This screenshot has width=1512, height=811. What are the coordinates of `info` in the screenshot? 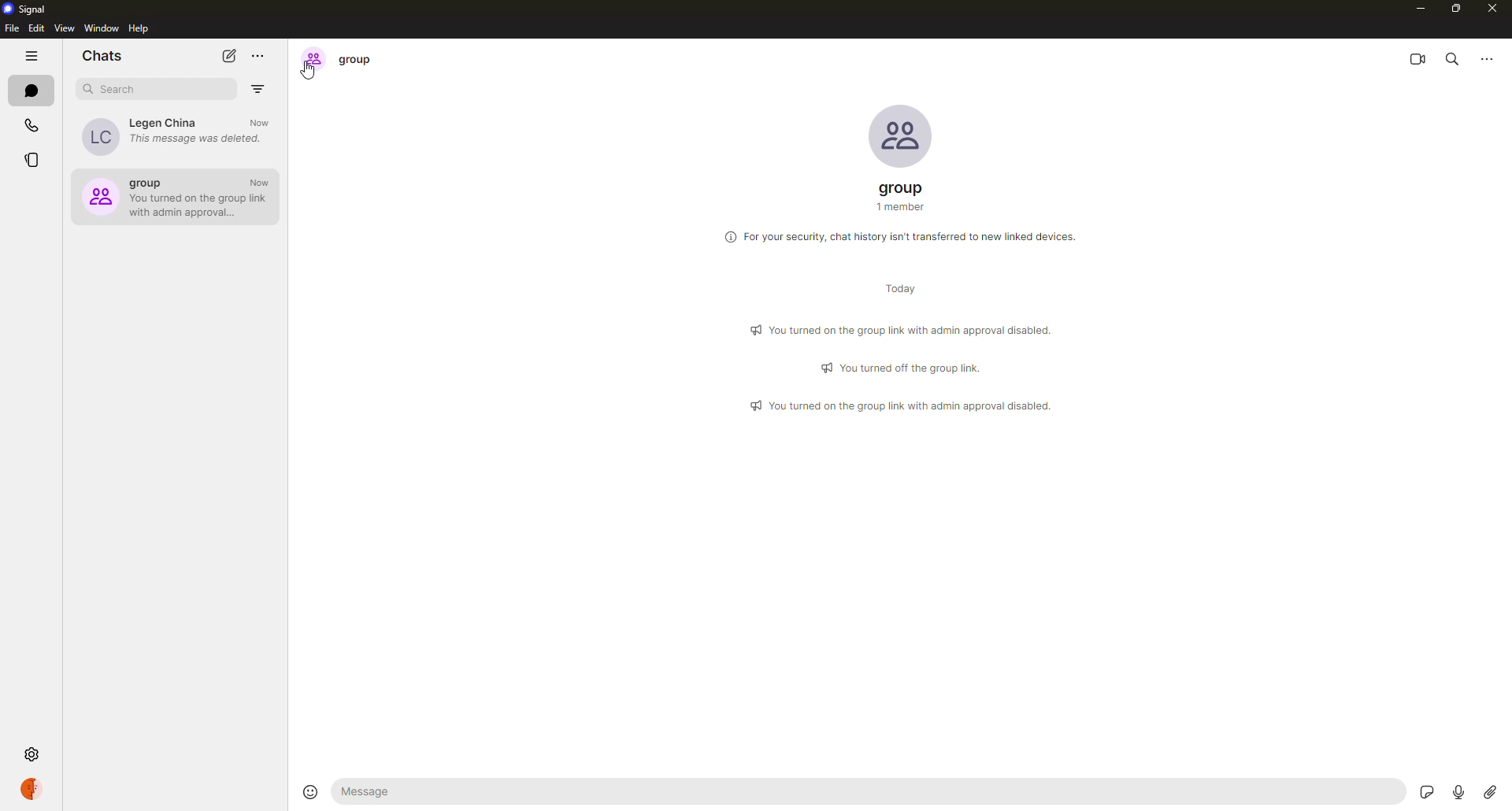 It's located at (906, 329).